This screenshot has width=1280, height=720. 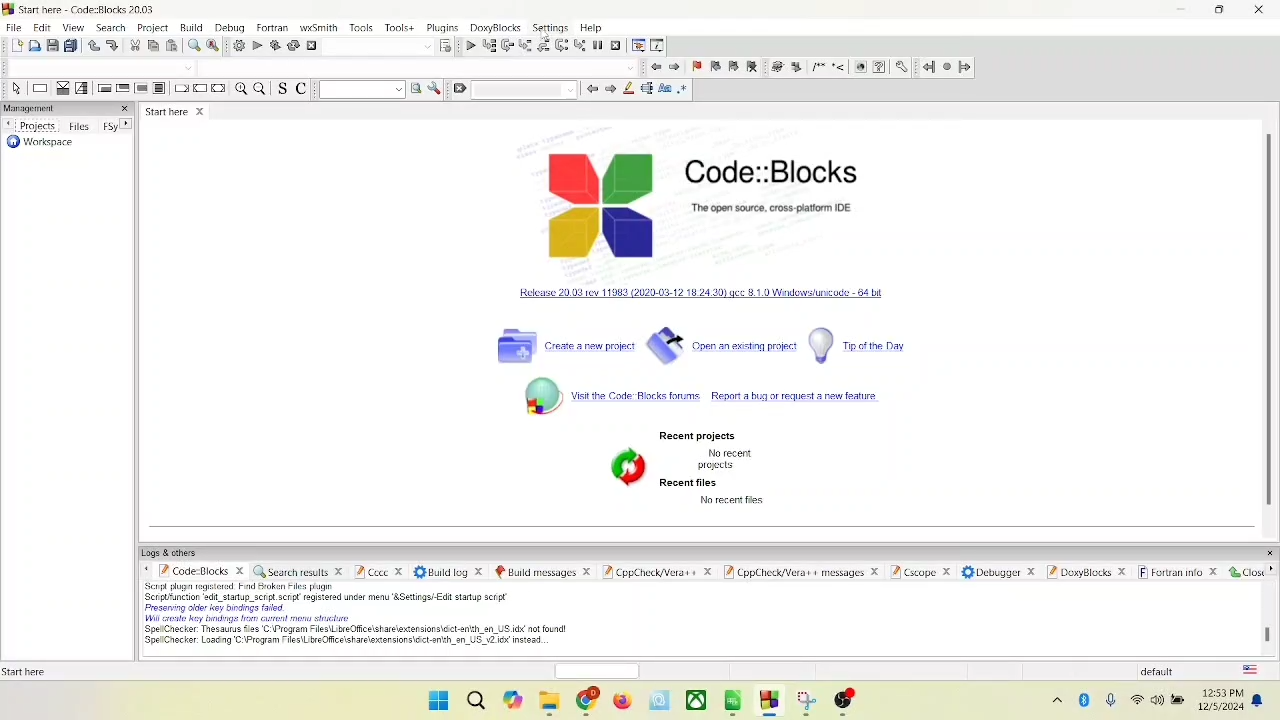 What do you see at coordinates (598, 204) in the screenshot?
I see `logo` at bounding box center [598, 204].